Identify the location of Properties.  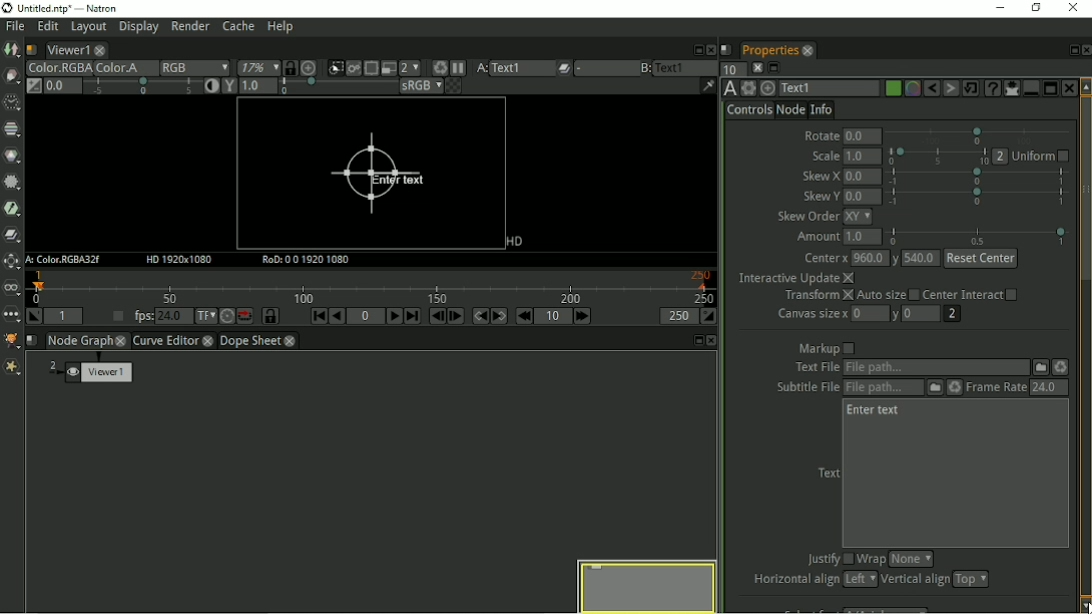
(768, 50).